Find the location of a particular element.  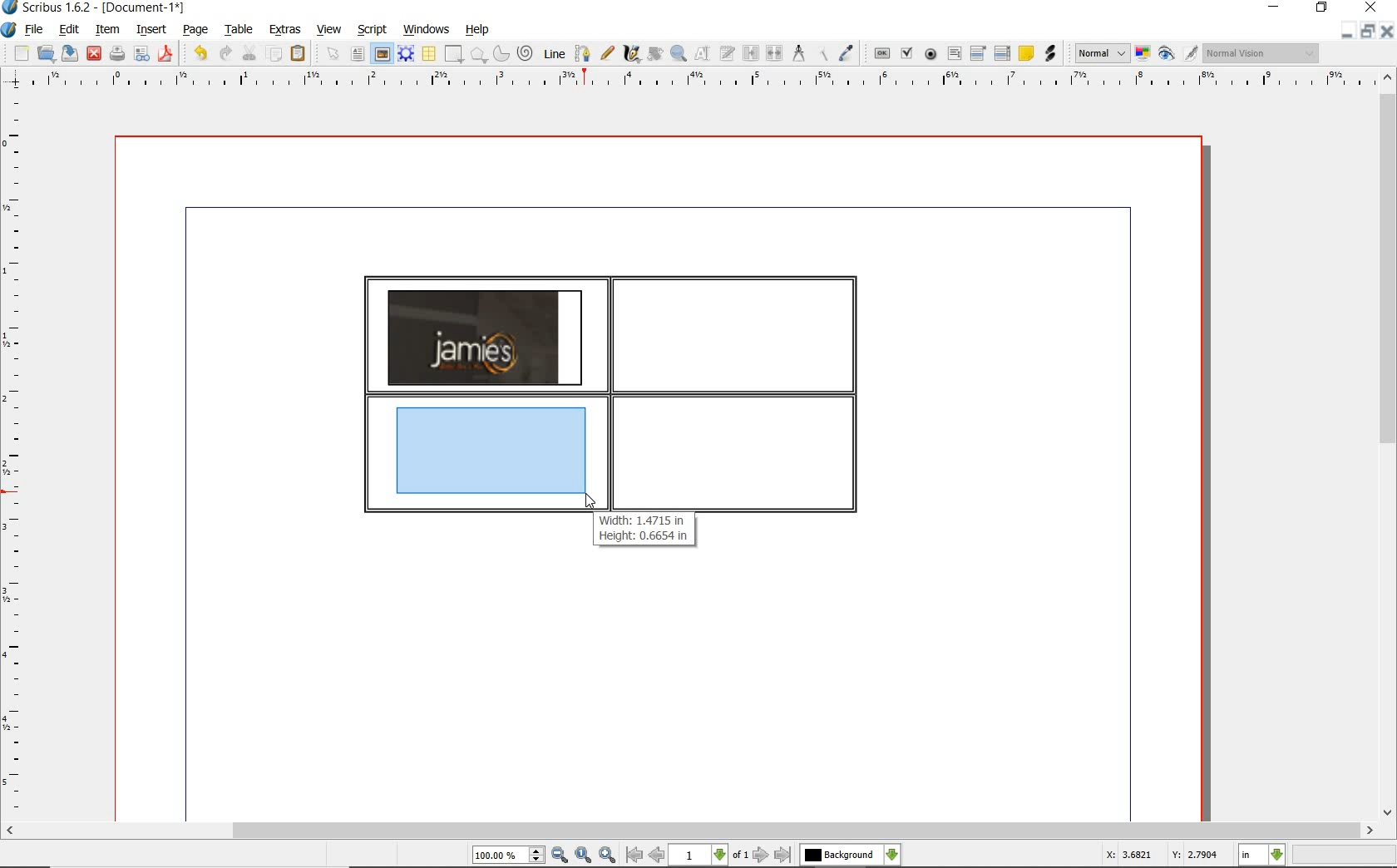

arc is located at coordinates (503, 55).